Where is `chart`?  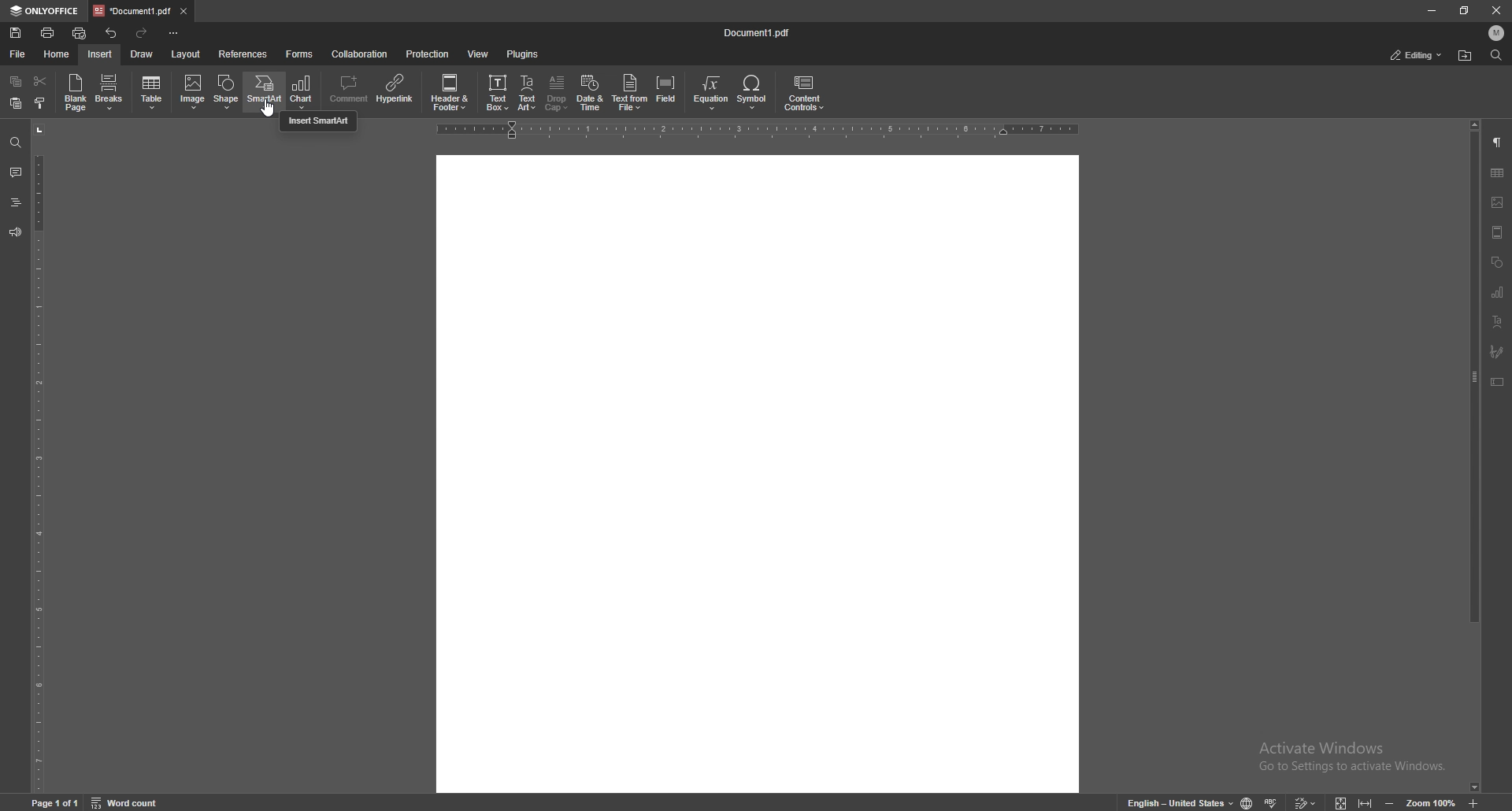
chart is located at coordinates (1499, 291).